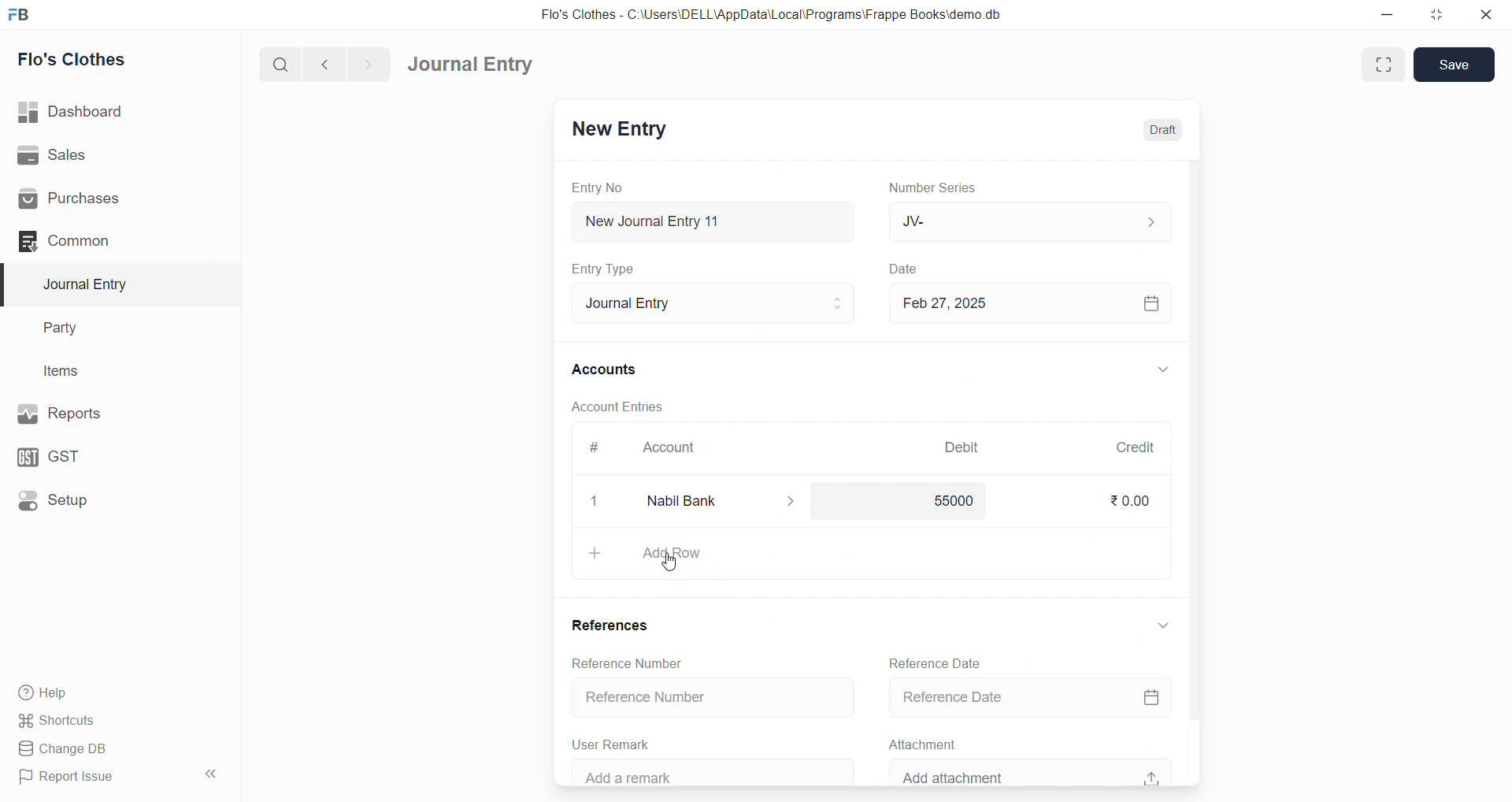 Image resolution: width=1512 pixels, height=802 pixels. Describe the element at coordinates (713, 694) in the screenshot. I see `Reference Number` at that location.